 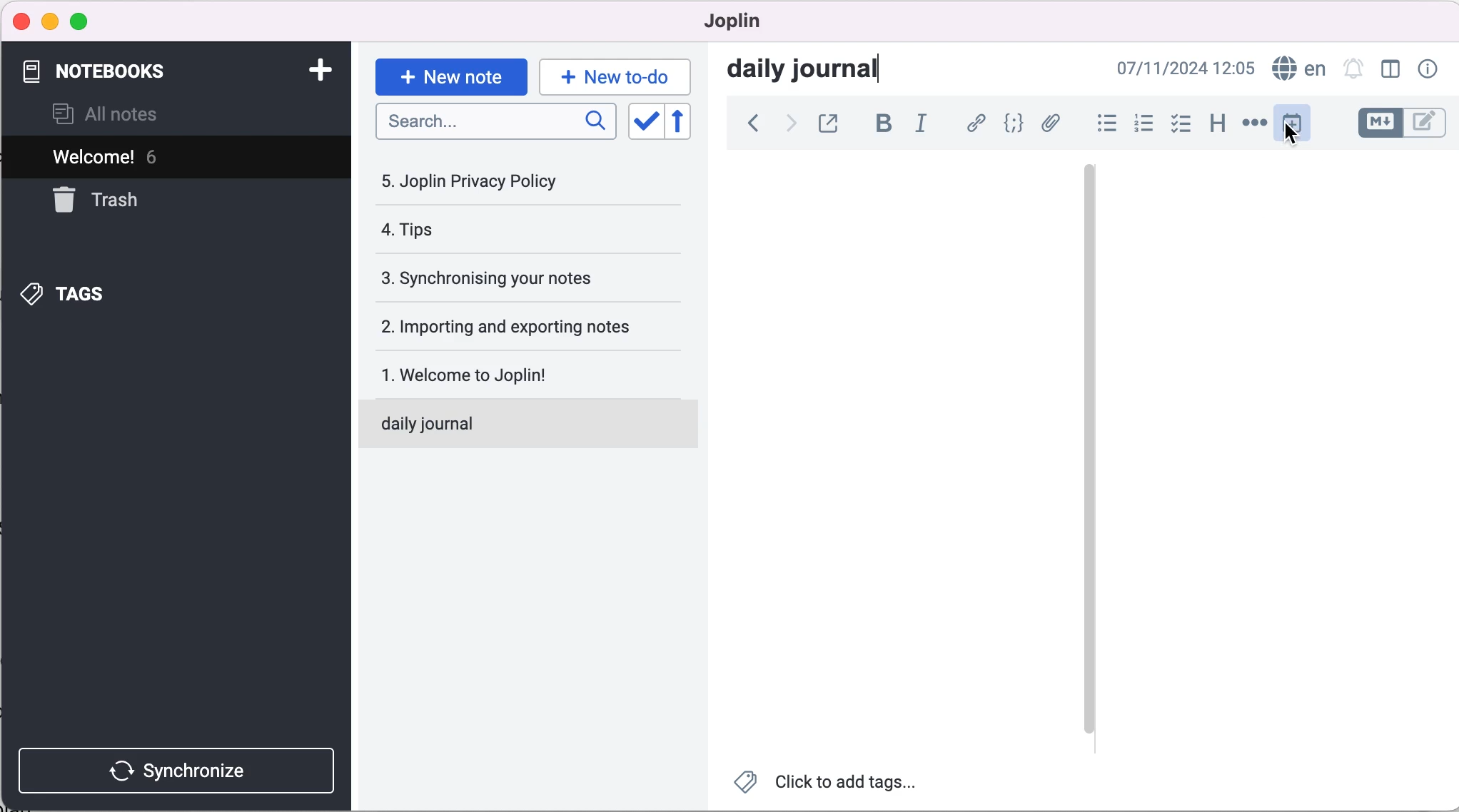 I want to click on click to add tags, so click(x=827, y=785).